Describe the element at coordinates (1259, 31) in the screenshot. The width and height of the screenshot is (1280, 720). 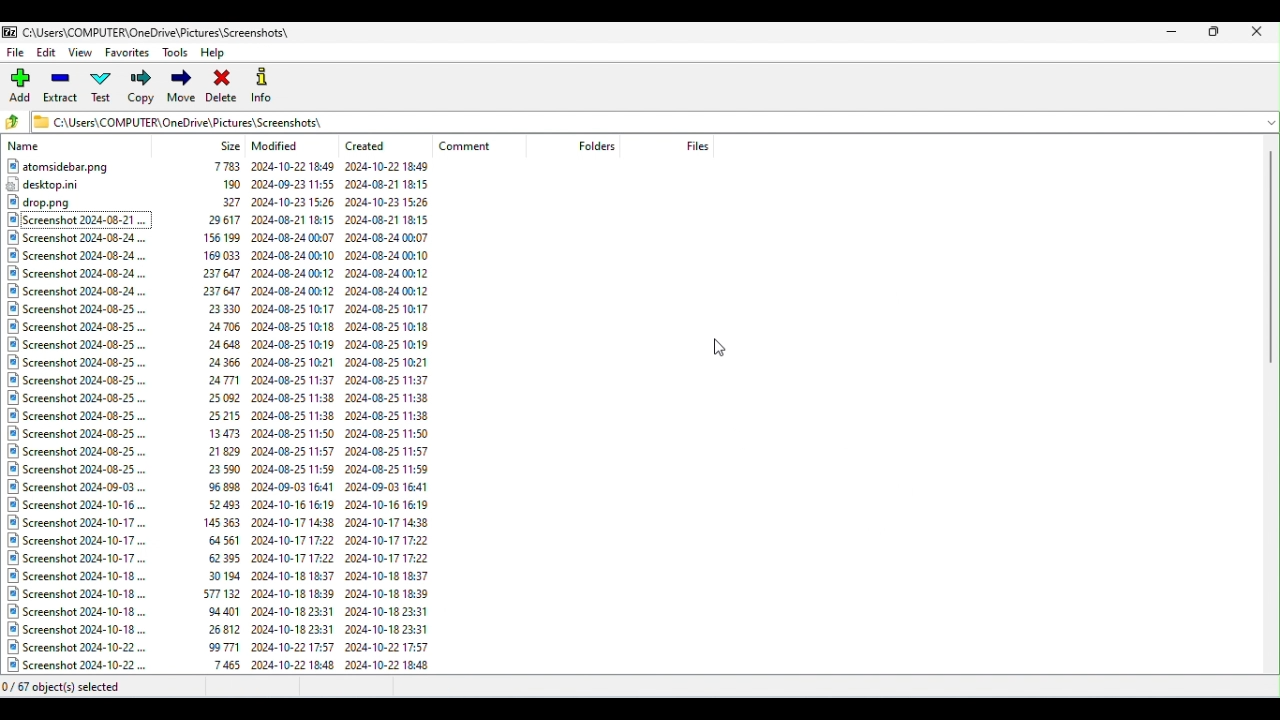
I see `Close` at that location.